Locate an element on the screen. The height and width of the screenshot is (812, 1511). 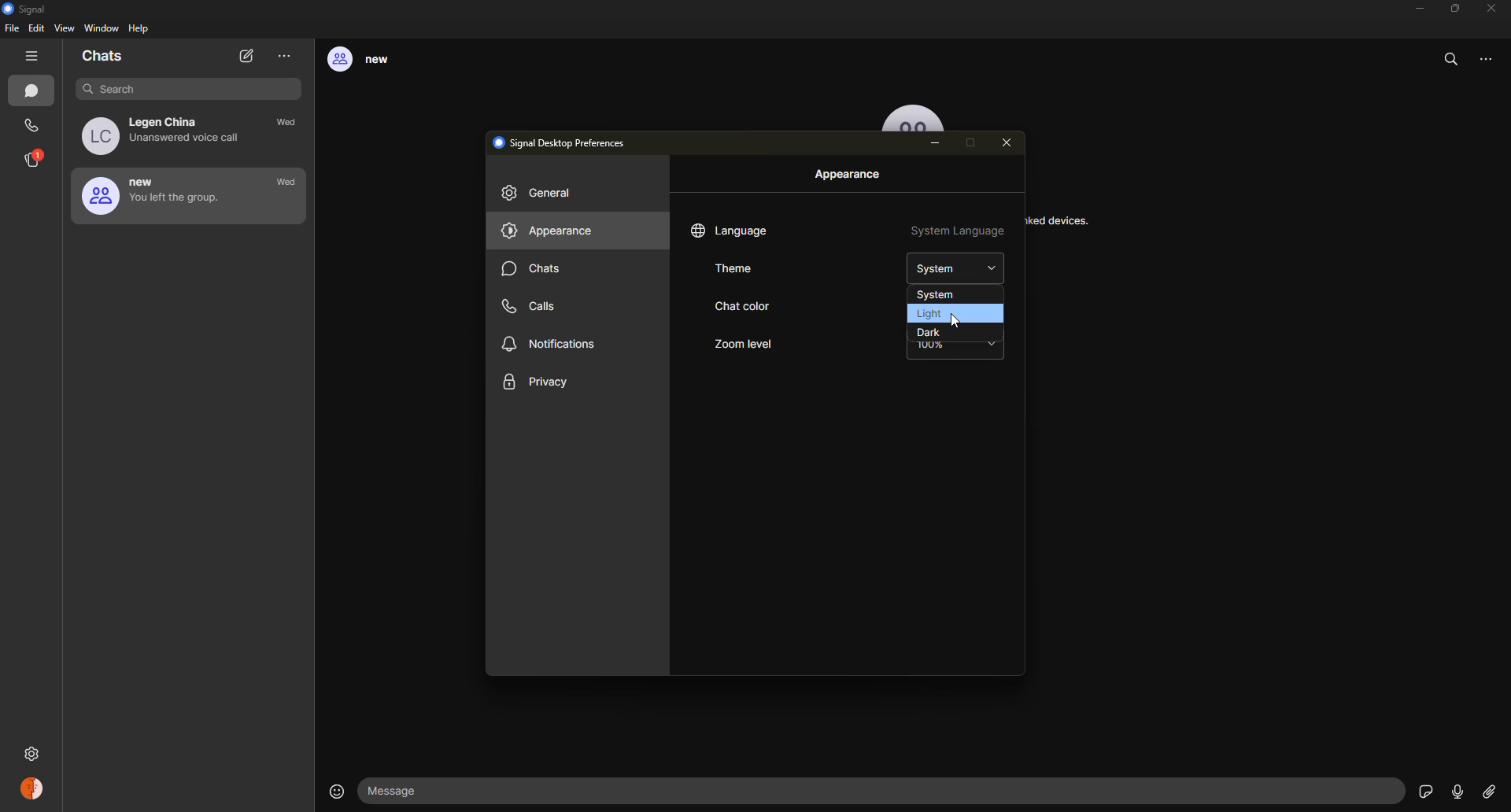
search is located at coordinates (1453, 59).